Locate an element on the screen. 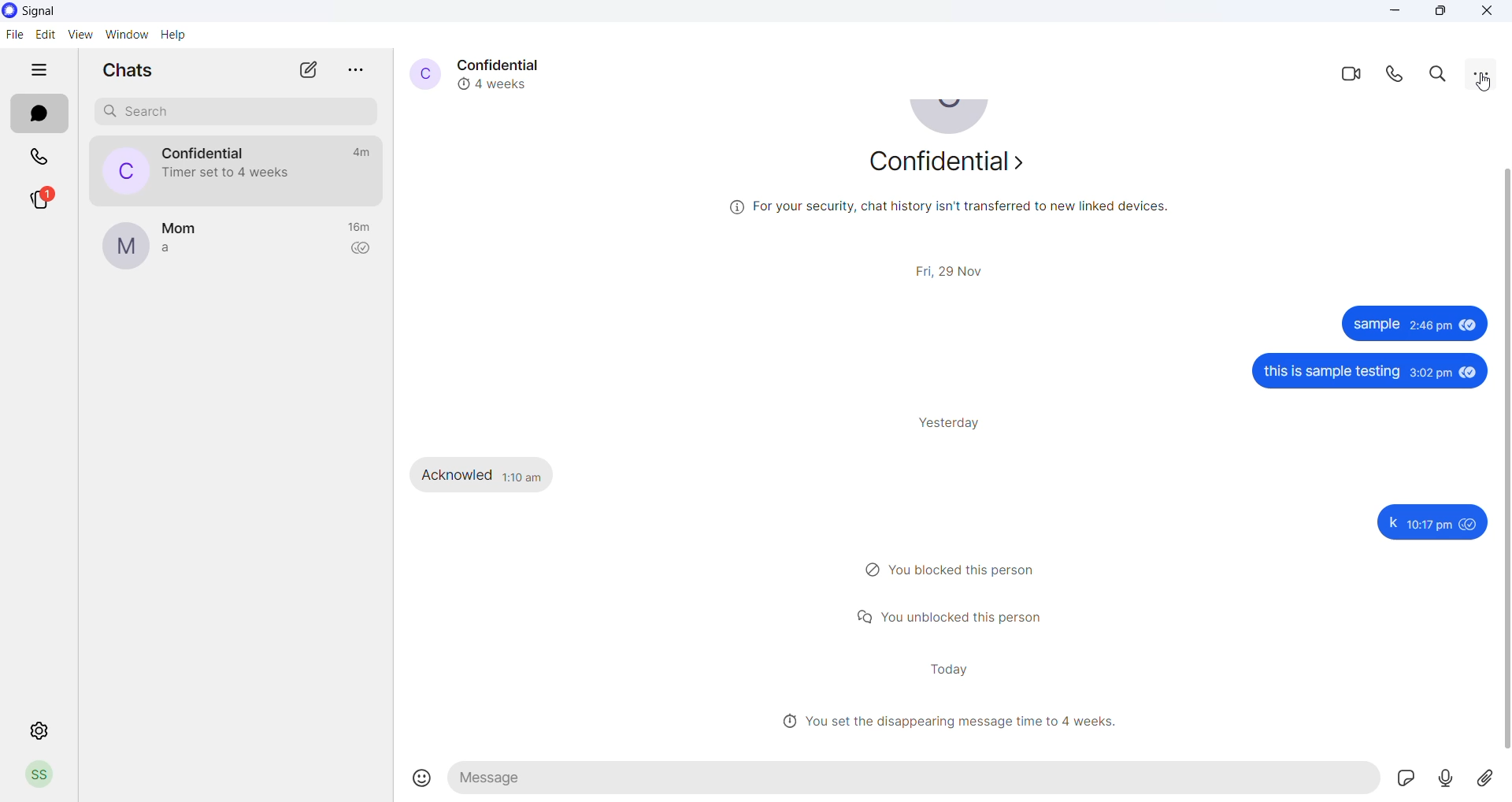  file is located at coordinates (14, 35).